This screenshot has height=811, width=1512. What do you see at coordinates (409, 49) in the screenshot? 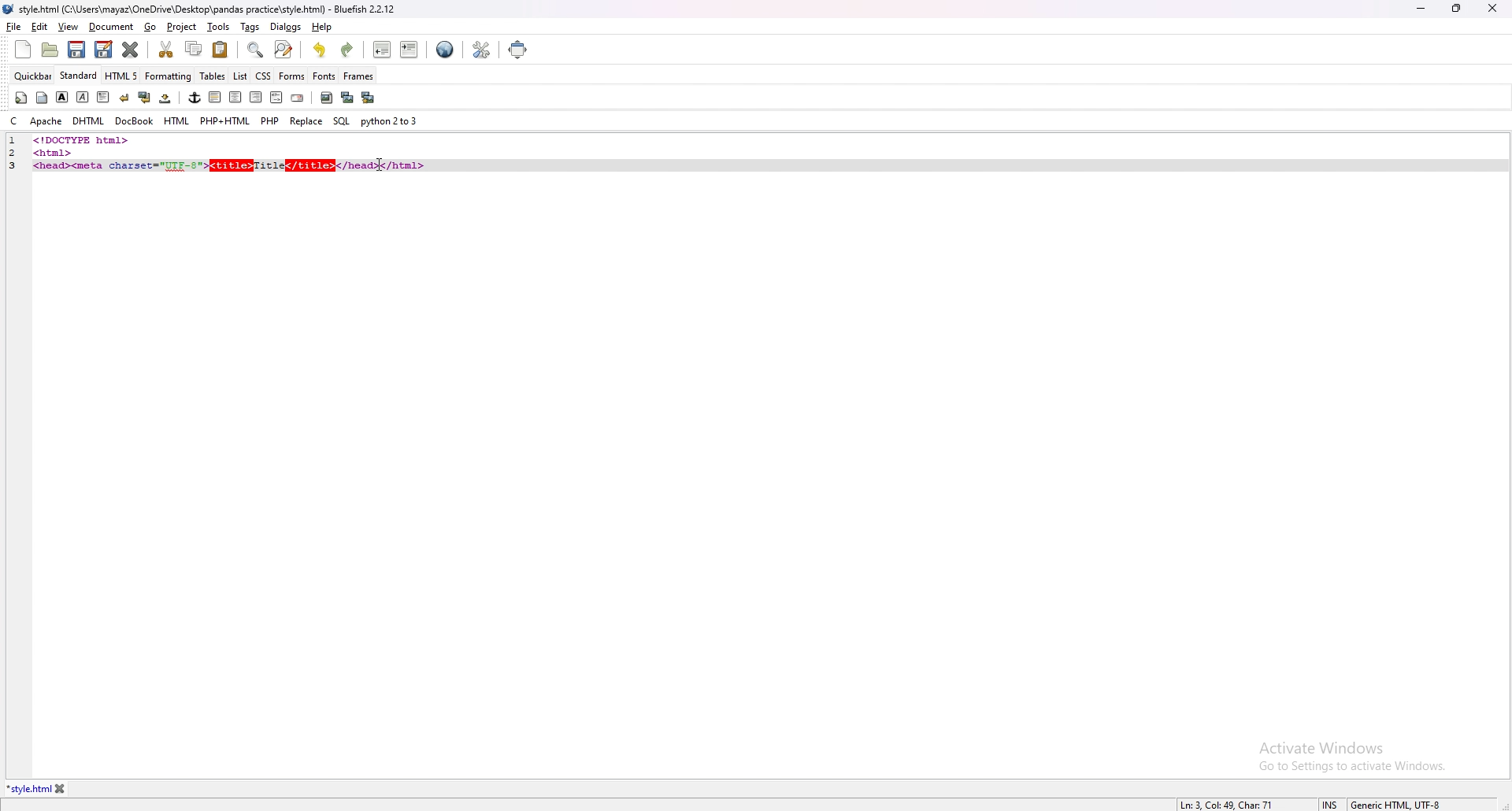
I see `indent` at bounding box center [409, 49].